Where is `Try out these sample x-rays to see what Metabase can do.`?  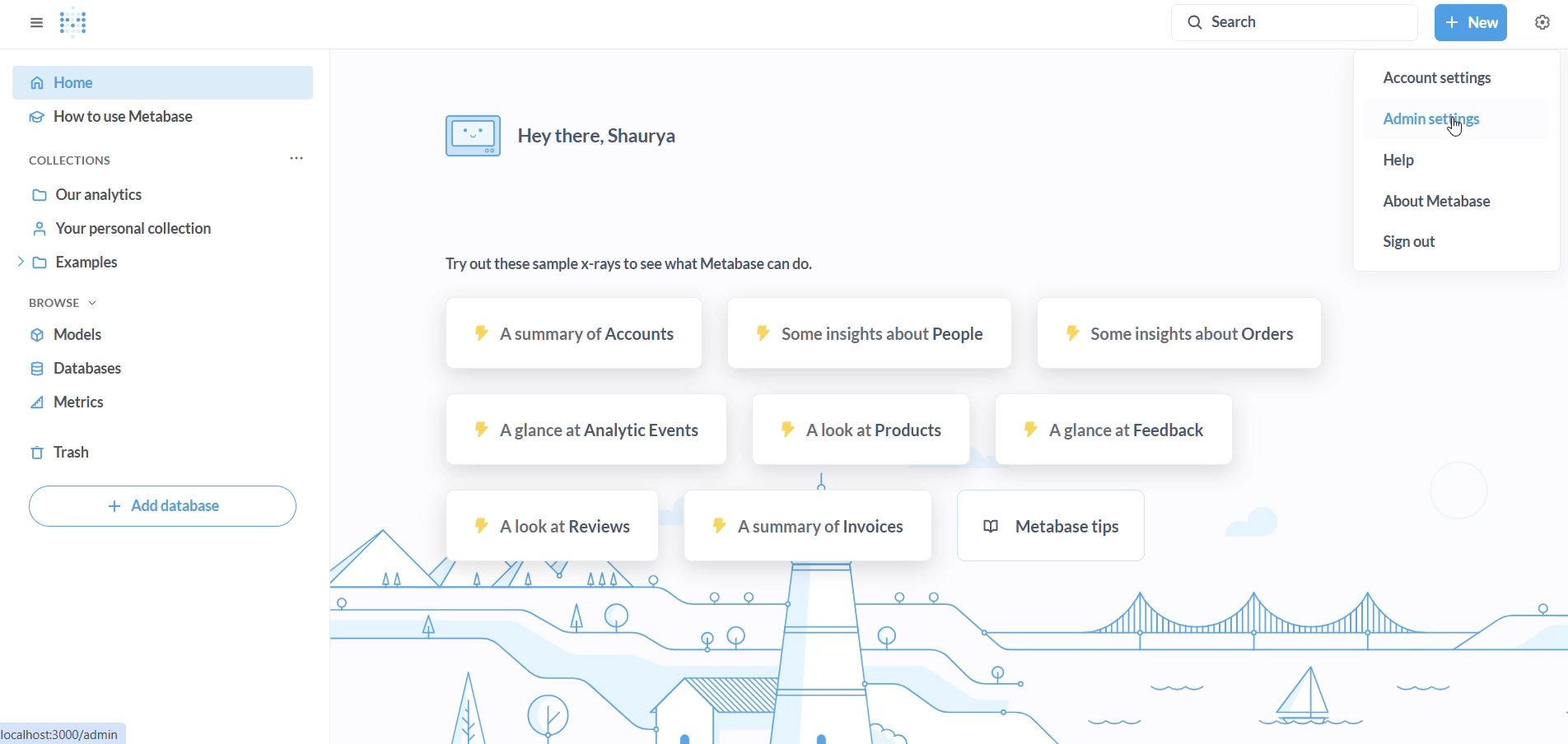
Try out these sample x-rays to see what Metabase can do. is located at coordinates (640, 264).